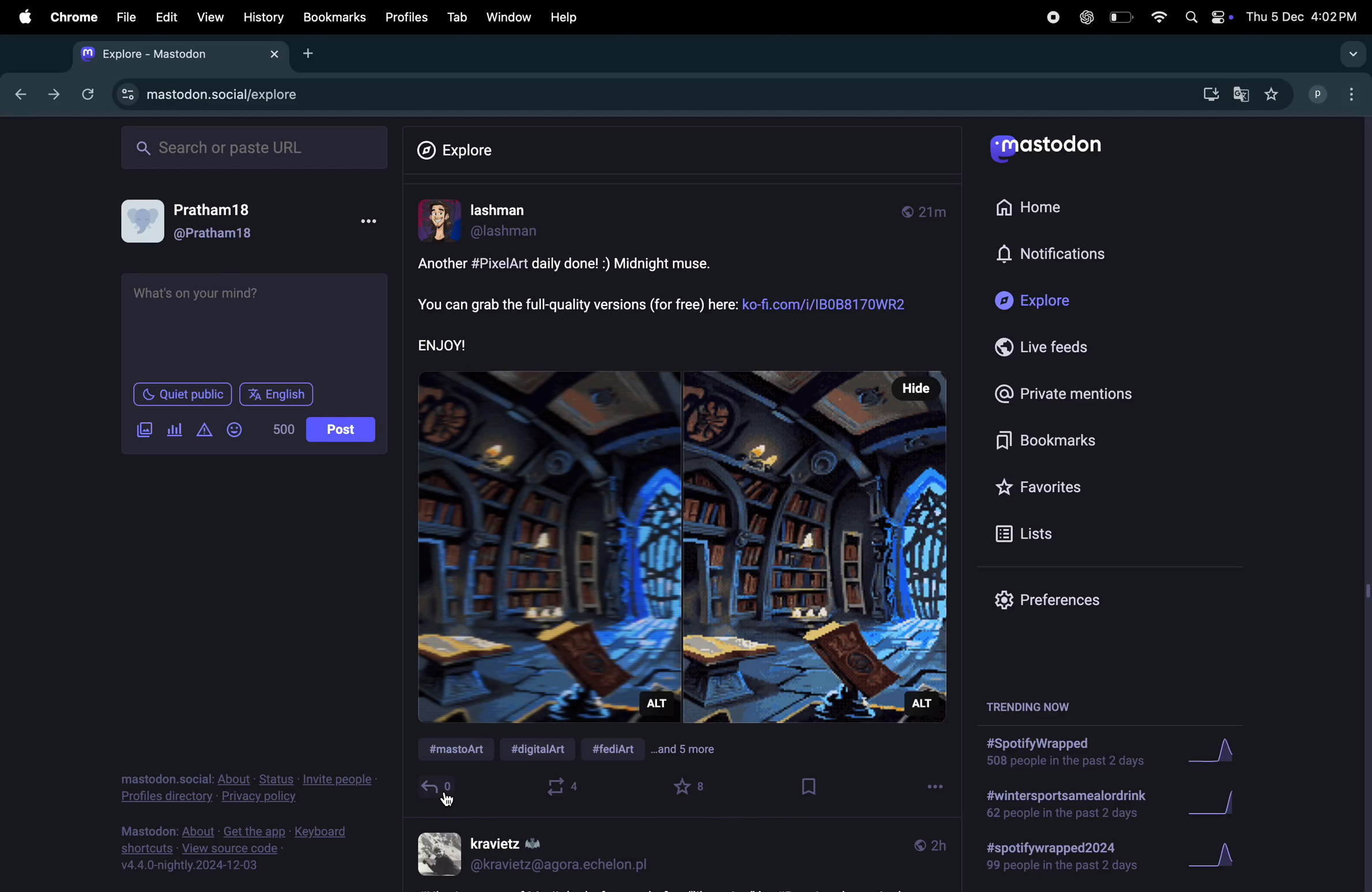  Describe the element at coordinates (209, 18) in the screenshot. I see `view` at that location.